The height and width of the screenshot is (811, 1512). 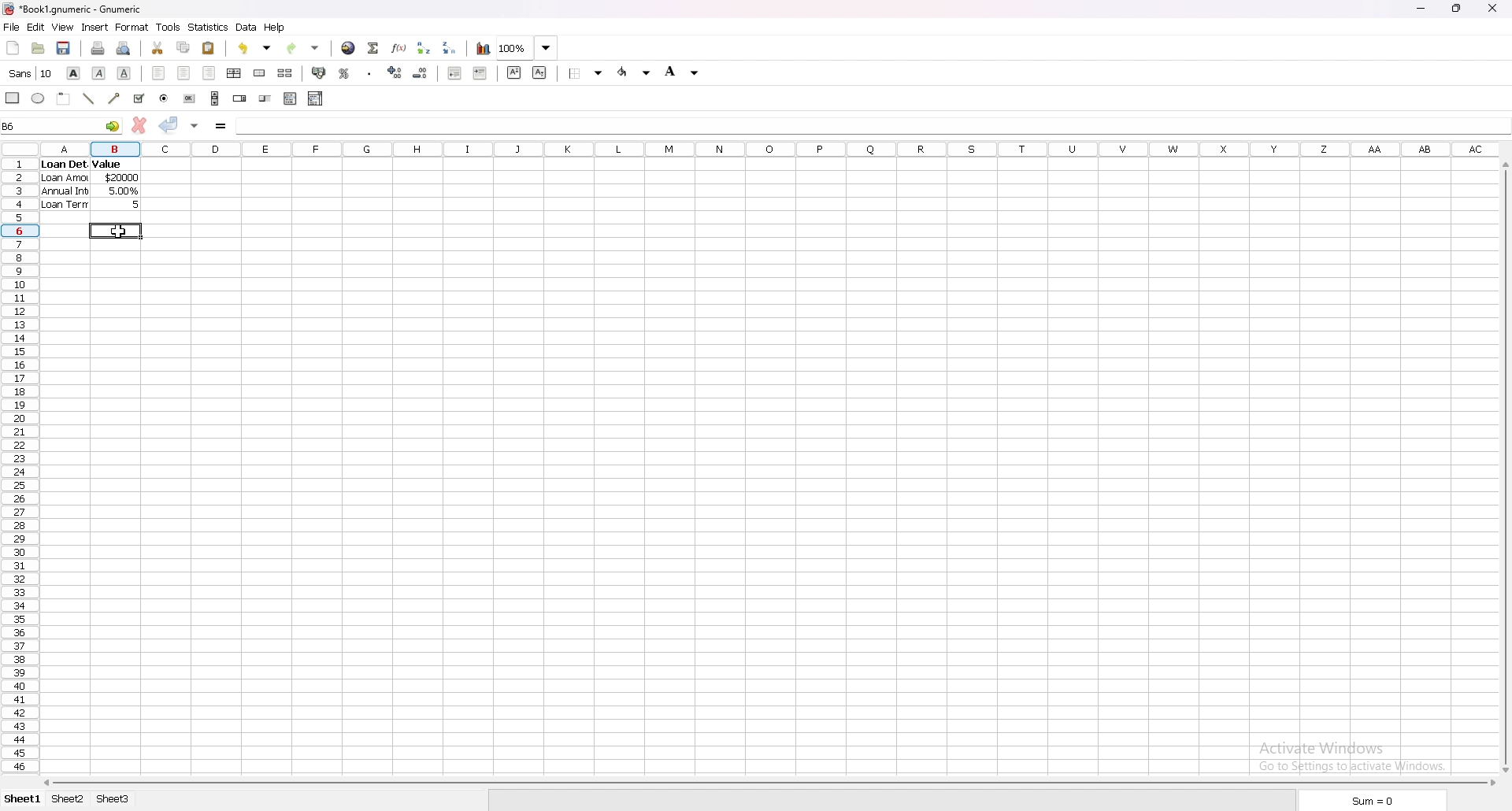 What do you see at coordinates (188, 98) in the screenshot?
I see `button` at bounding box center [188, 98].